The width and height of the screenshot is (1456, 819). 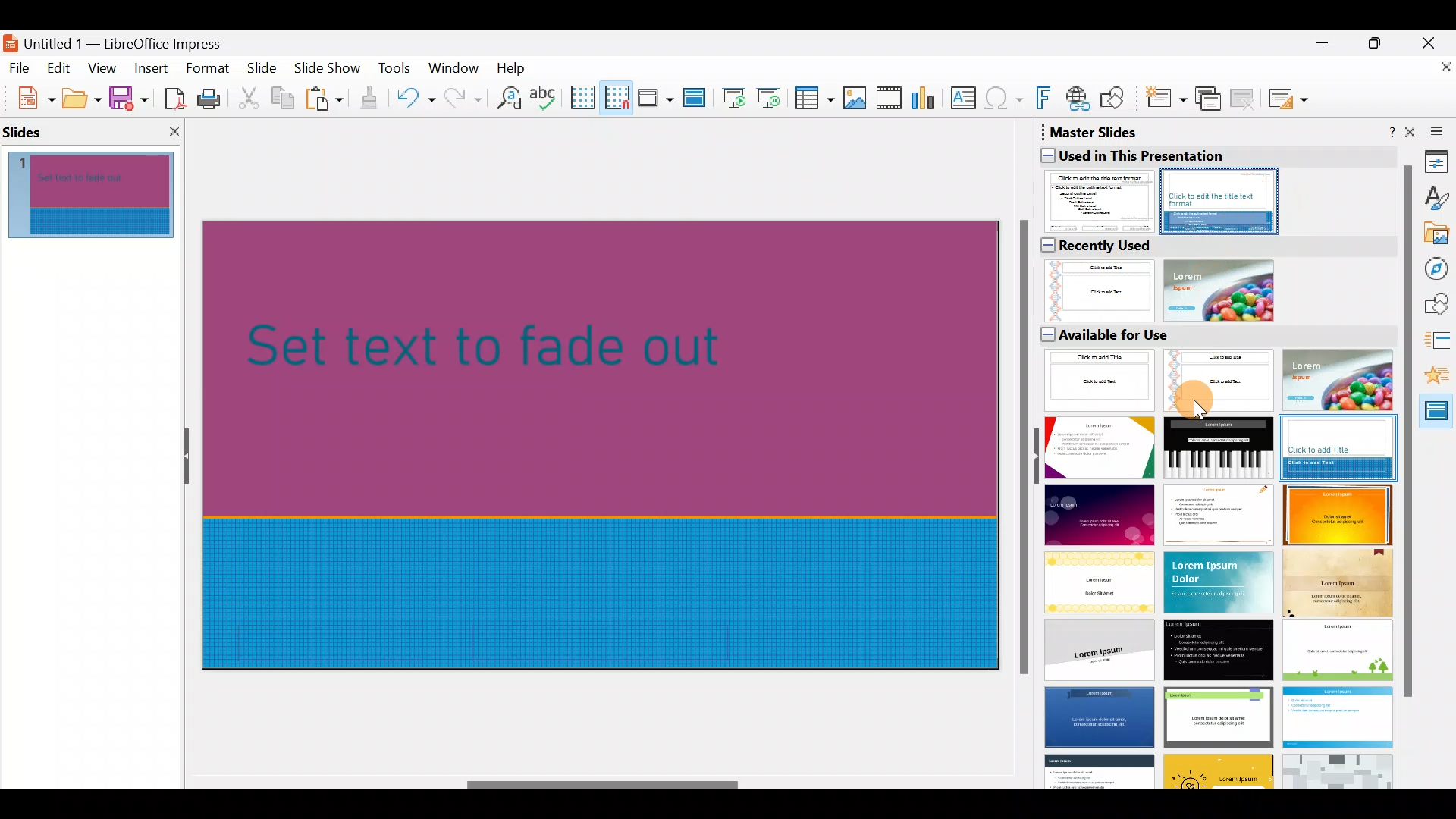 What do you see at coordinates (858, 99) in the screenshot?
I see `Insert image` at bounding box center [858, 99].